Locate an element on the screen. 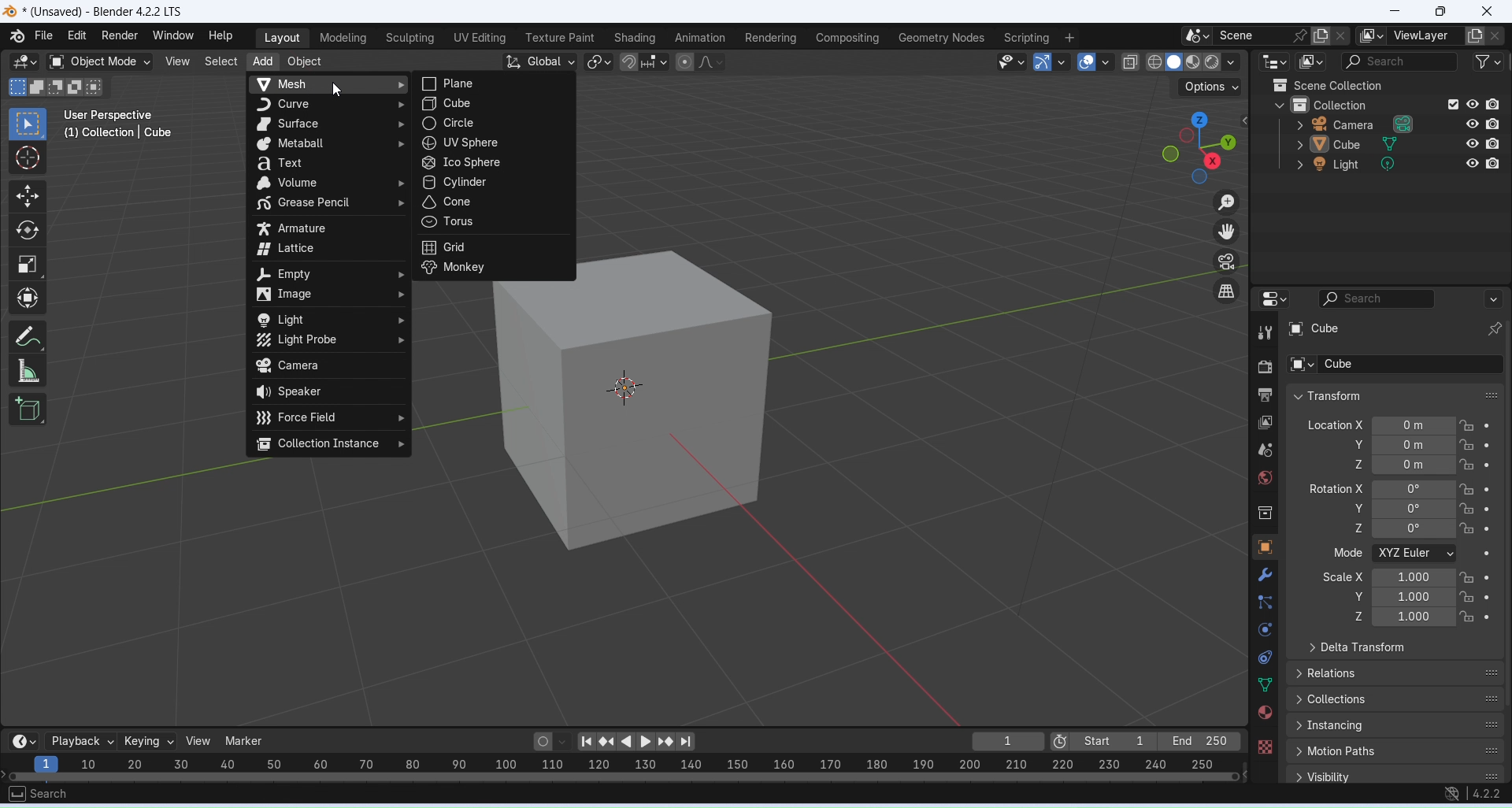 This screenshot has width=1512, height=808. Physics is located at coordinates (1264, 628).